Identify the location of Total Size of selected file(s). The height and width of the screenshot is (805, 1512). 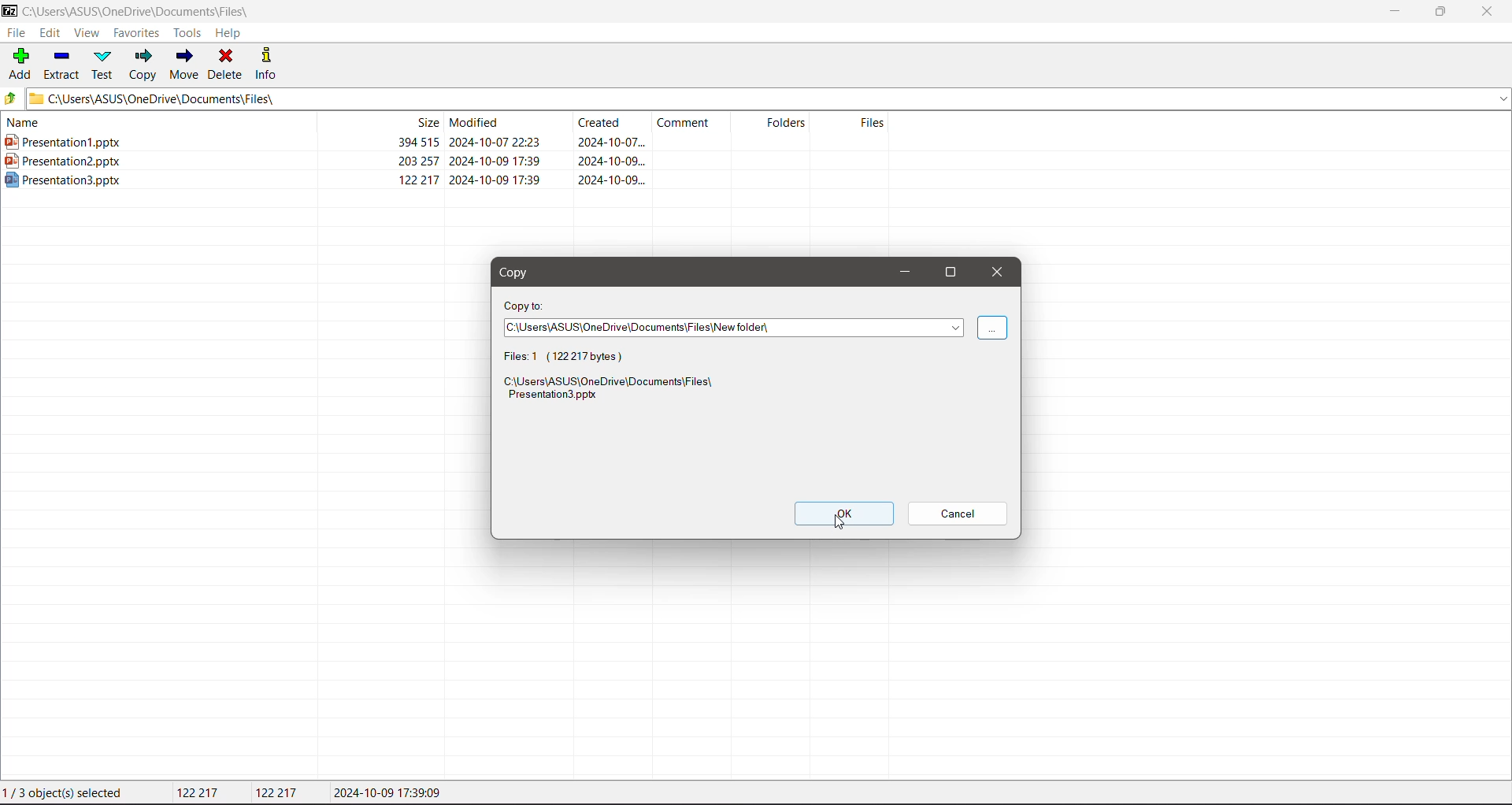
(201, 793).